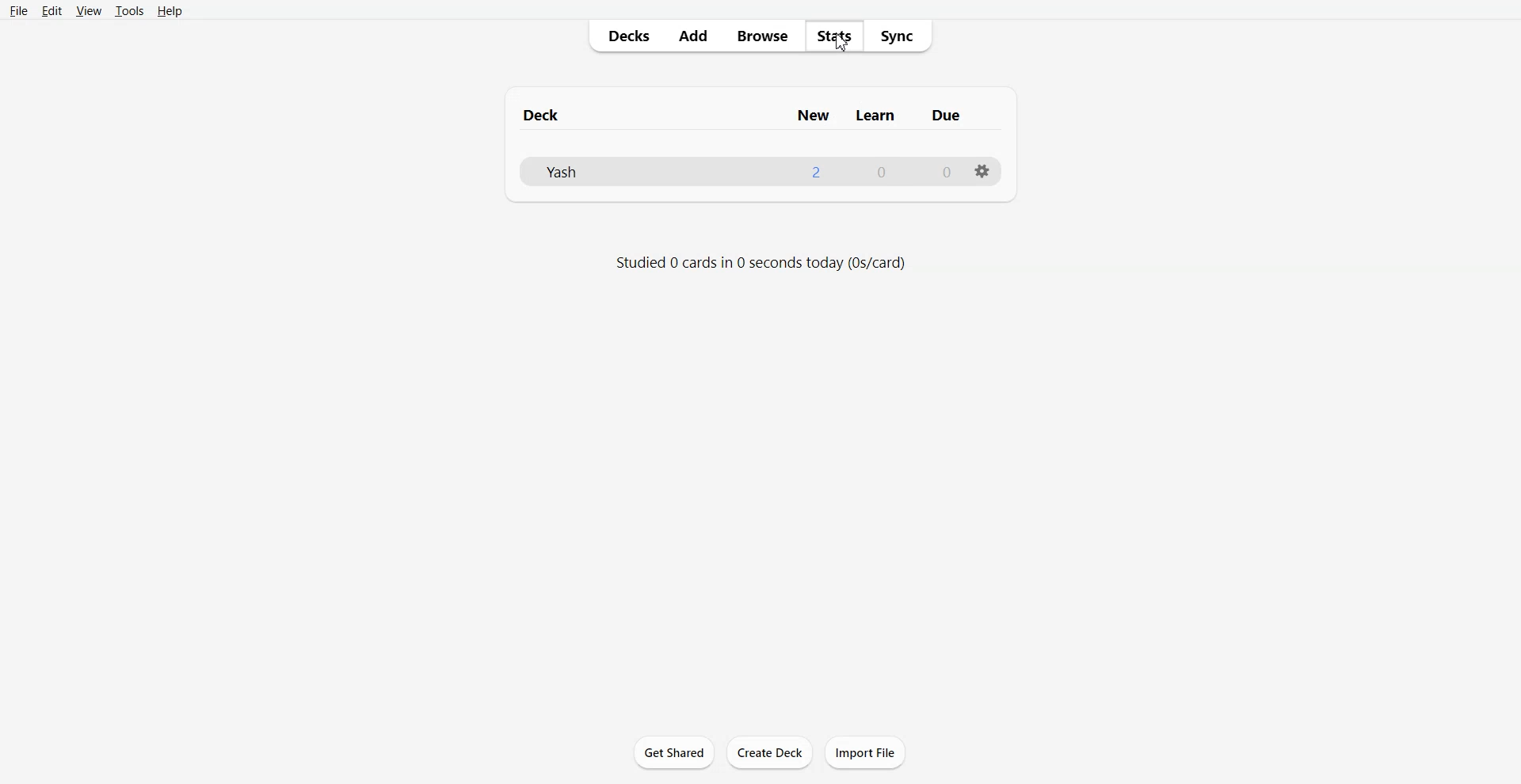  I want to click on deck, so click(548, 113).